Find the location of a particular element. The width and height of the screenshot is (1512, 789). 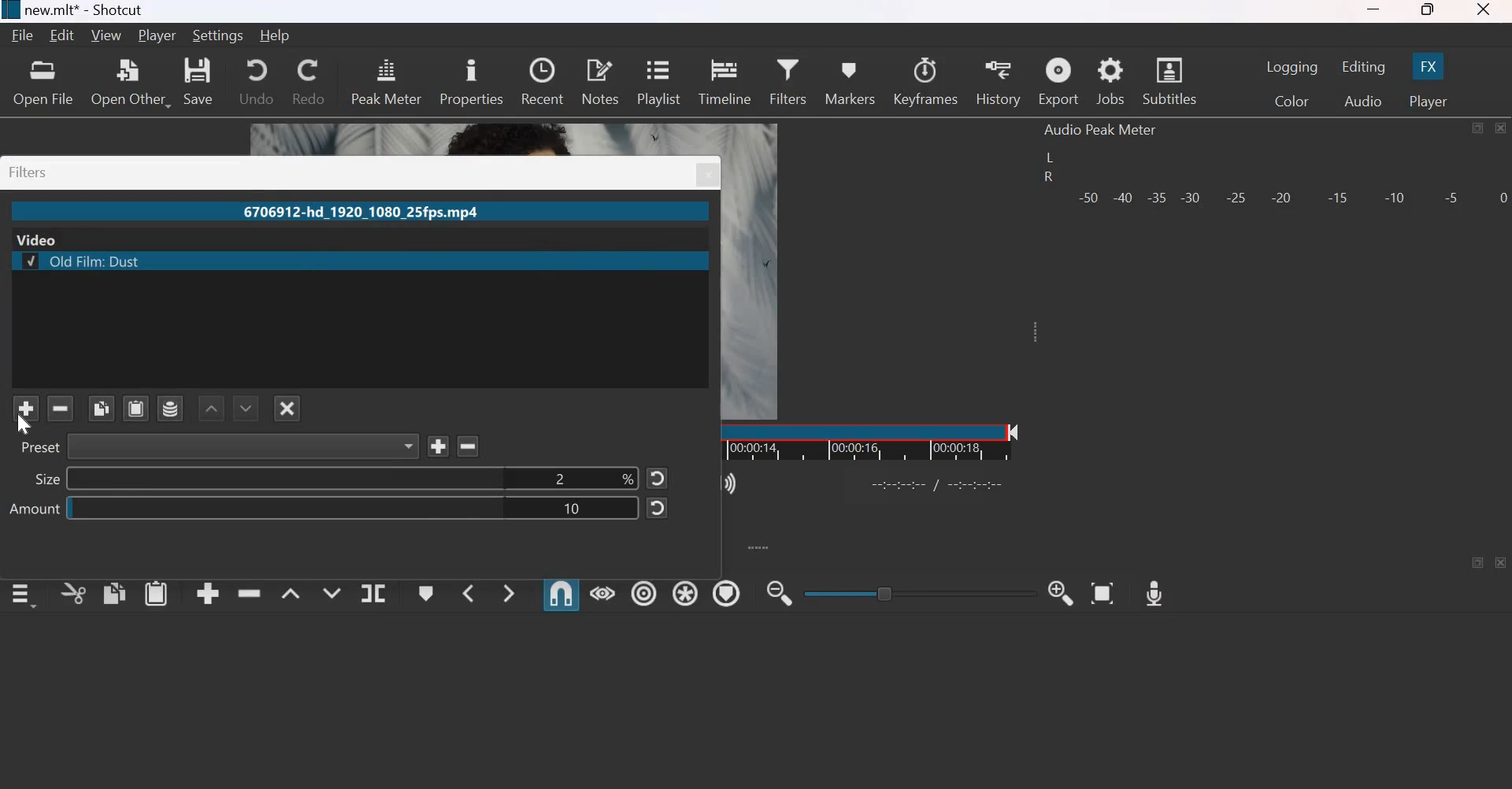

Edit is located at coordinates (64, 36).